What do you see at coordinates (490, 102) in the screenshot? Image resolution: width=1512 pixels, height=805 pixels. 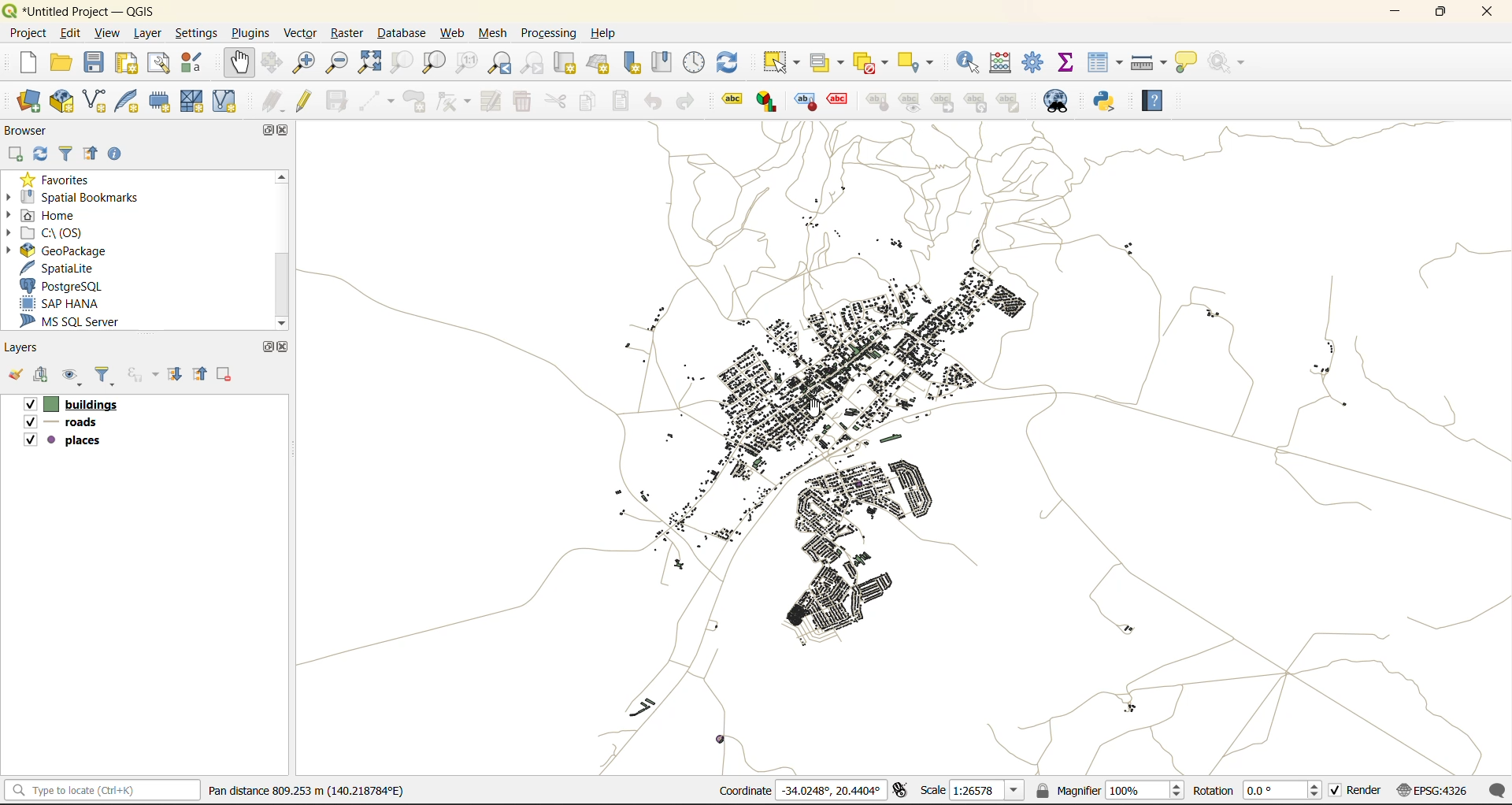 I see `modify` at bounding box center [490, 102].